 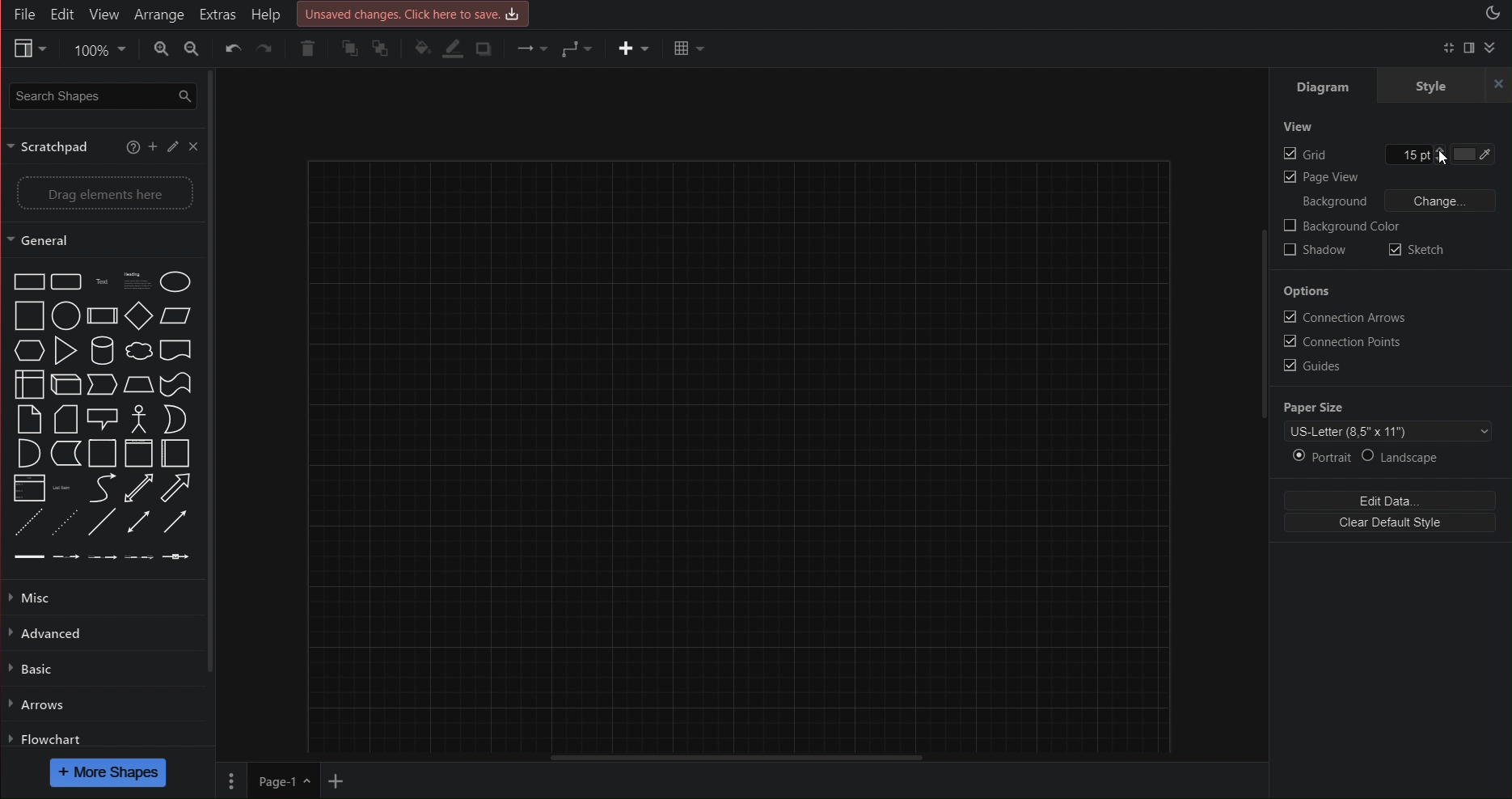 I want to click on Zoom Out, so click(x=194, y=51).